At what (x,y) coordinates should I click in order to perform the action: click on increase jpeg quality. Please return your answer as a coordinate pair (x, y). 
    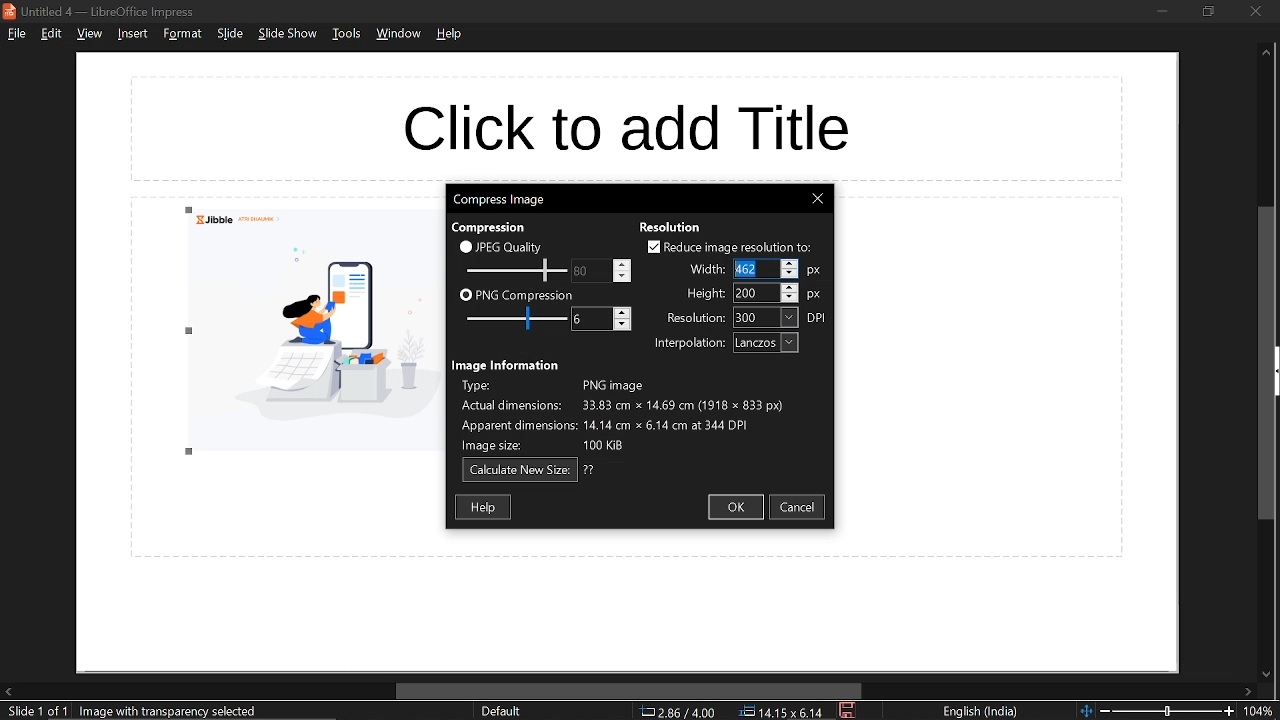
    Looking at the image, I should click on (622, 264).